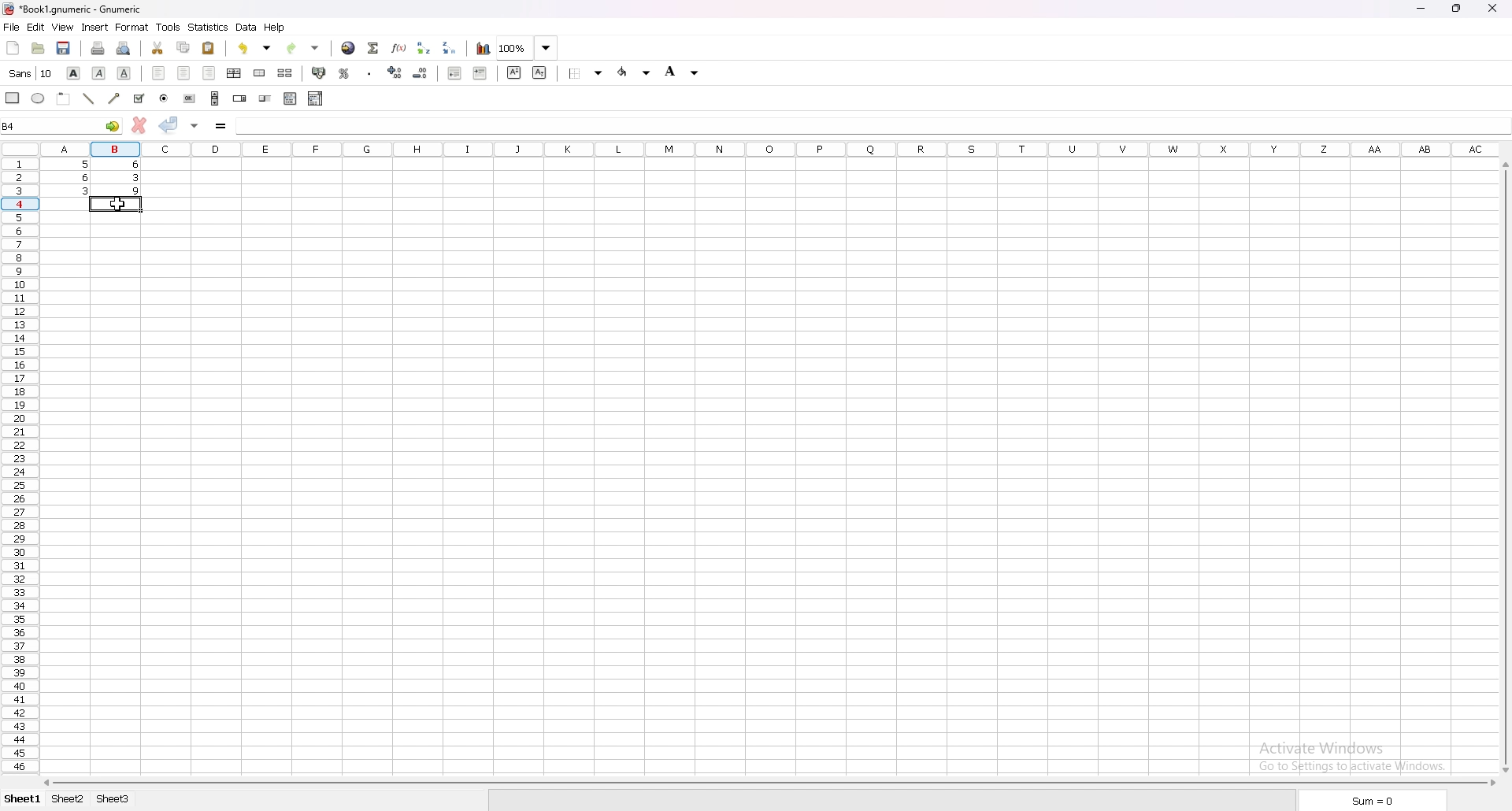  What do you see at coordinates (349, 48) in the screenshot?
I see `hyperlink` at bounding box center [349, 48].